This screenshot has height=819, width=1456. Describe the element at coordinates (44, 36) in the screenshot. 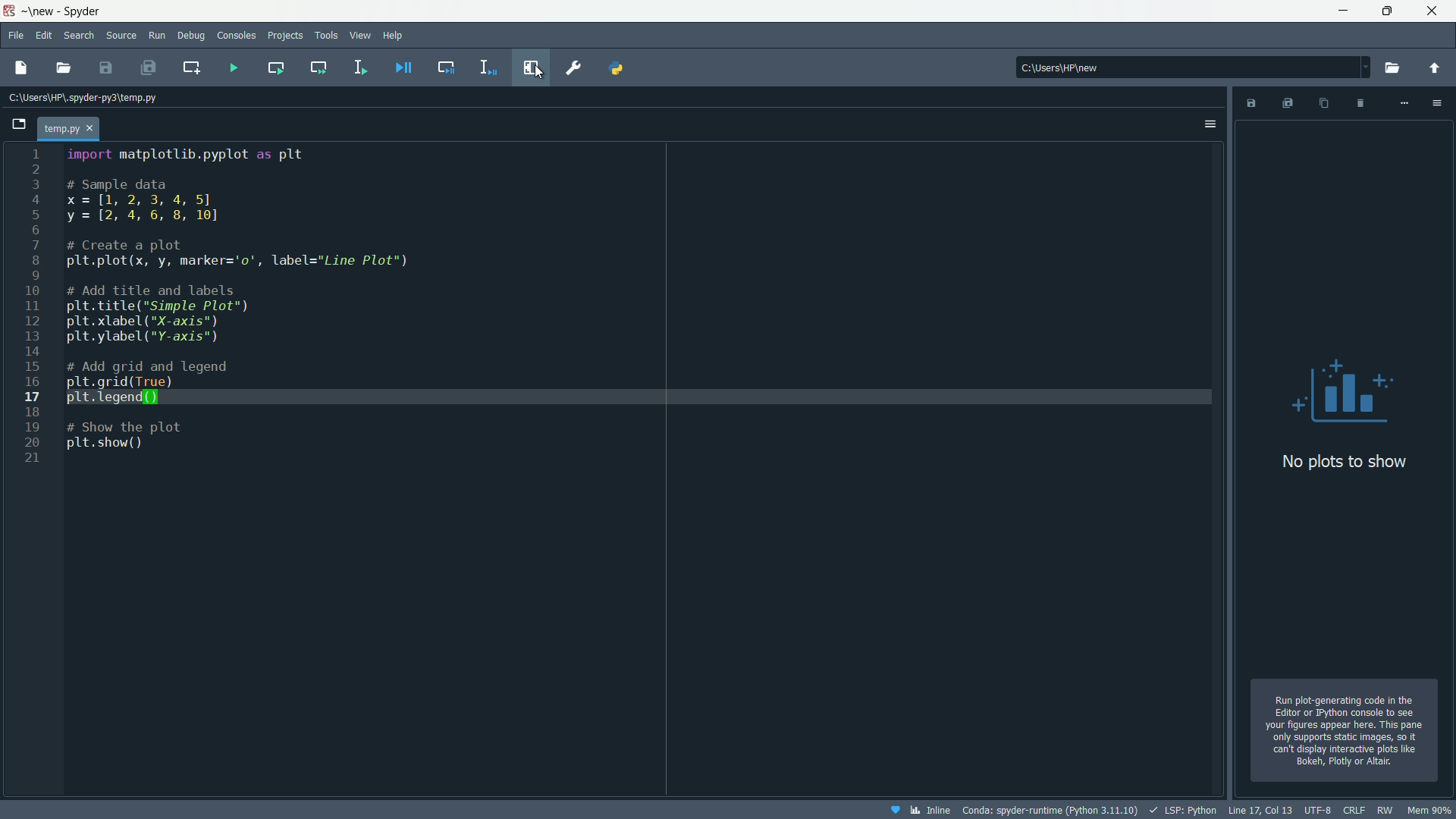

I see `edit` at that location.